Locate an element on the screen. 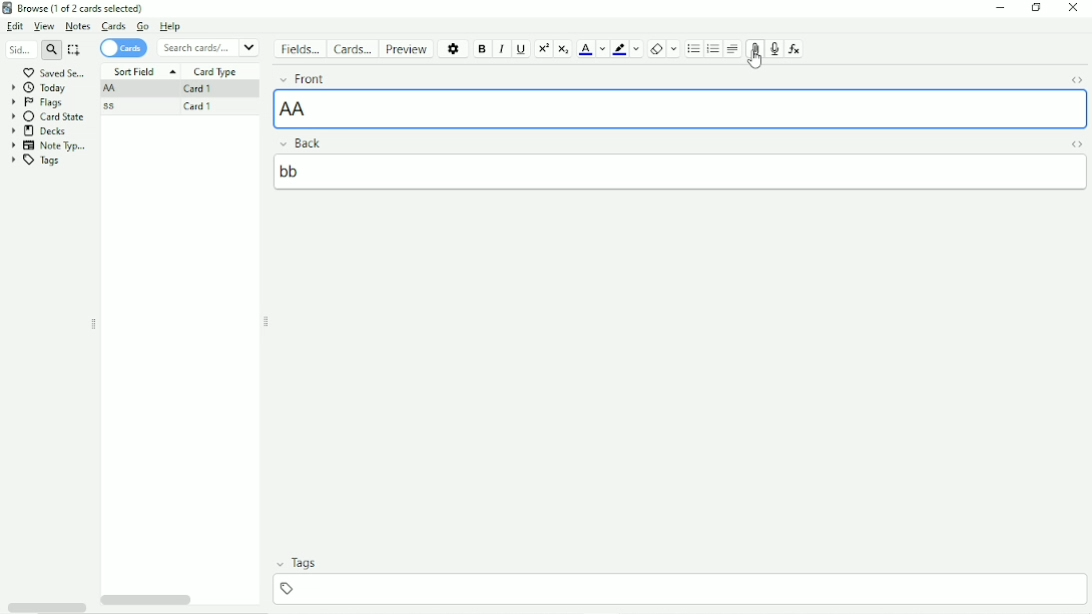  Text color is located at coordinates (585, 50).